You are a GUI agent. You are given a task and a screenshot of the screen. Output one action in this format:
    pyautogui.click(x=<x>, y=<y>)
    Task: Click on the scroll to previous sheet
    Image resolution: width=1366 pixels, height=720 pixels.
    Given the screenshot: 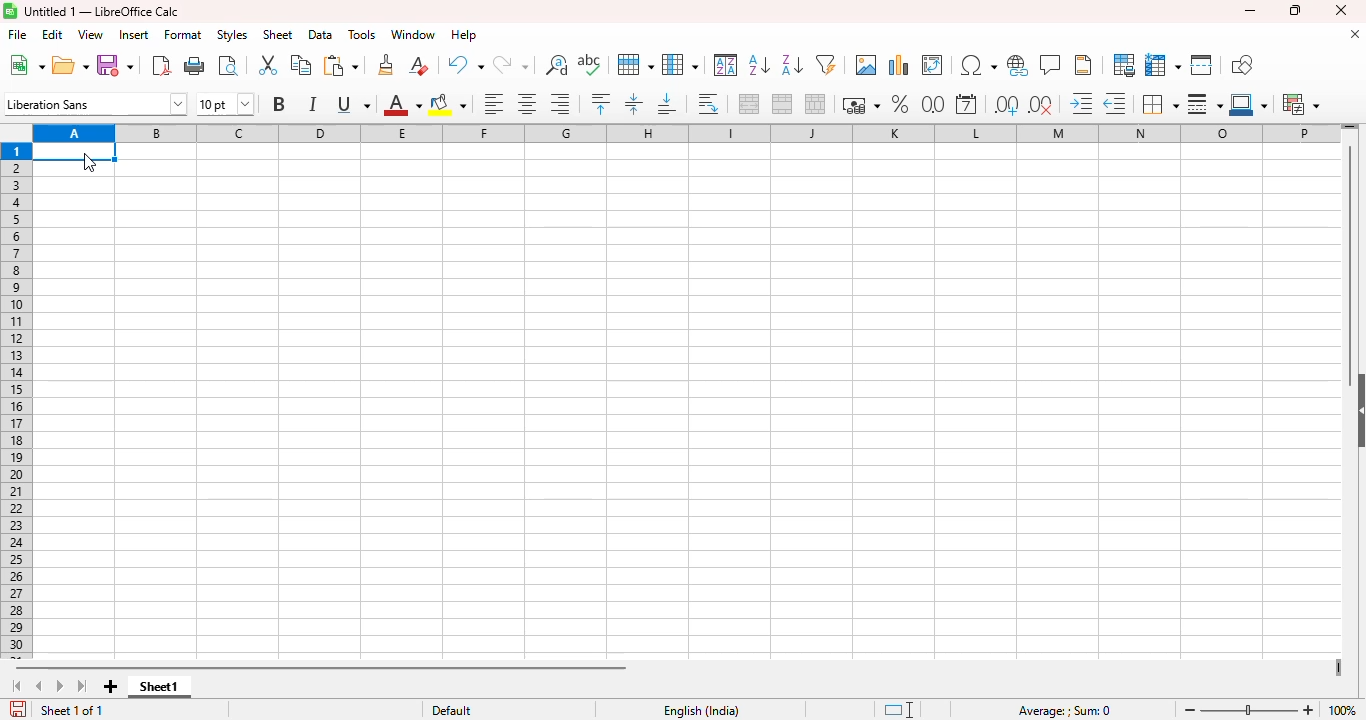 What is the action you would take?
    pyautogui.click(x=39, y=686)
    